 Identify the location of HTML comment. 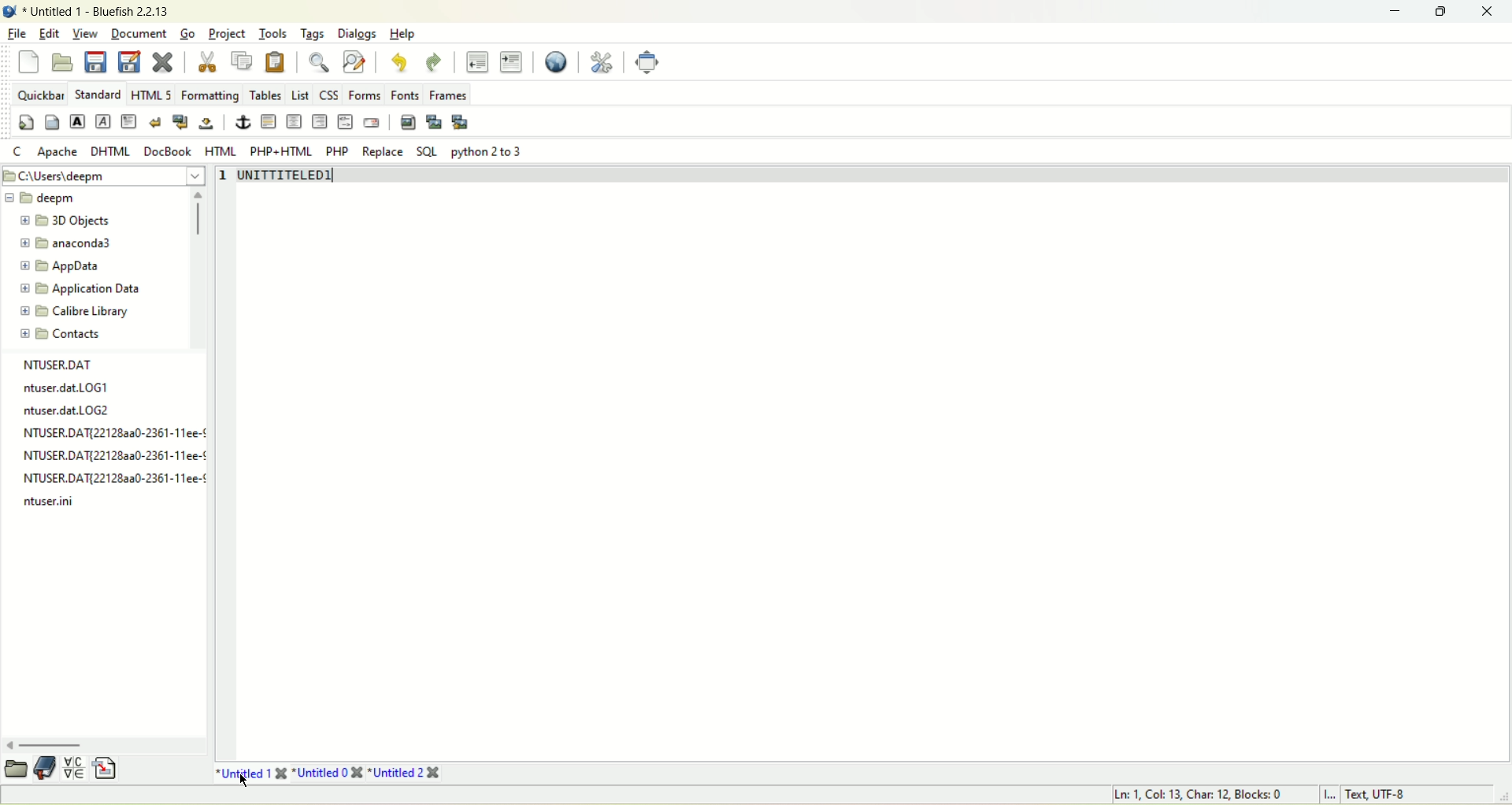
(343, 122).